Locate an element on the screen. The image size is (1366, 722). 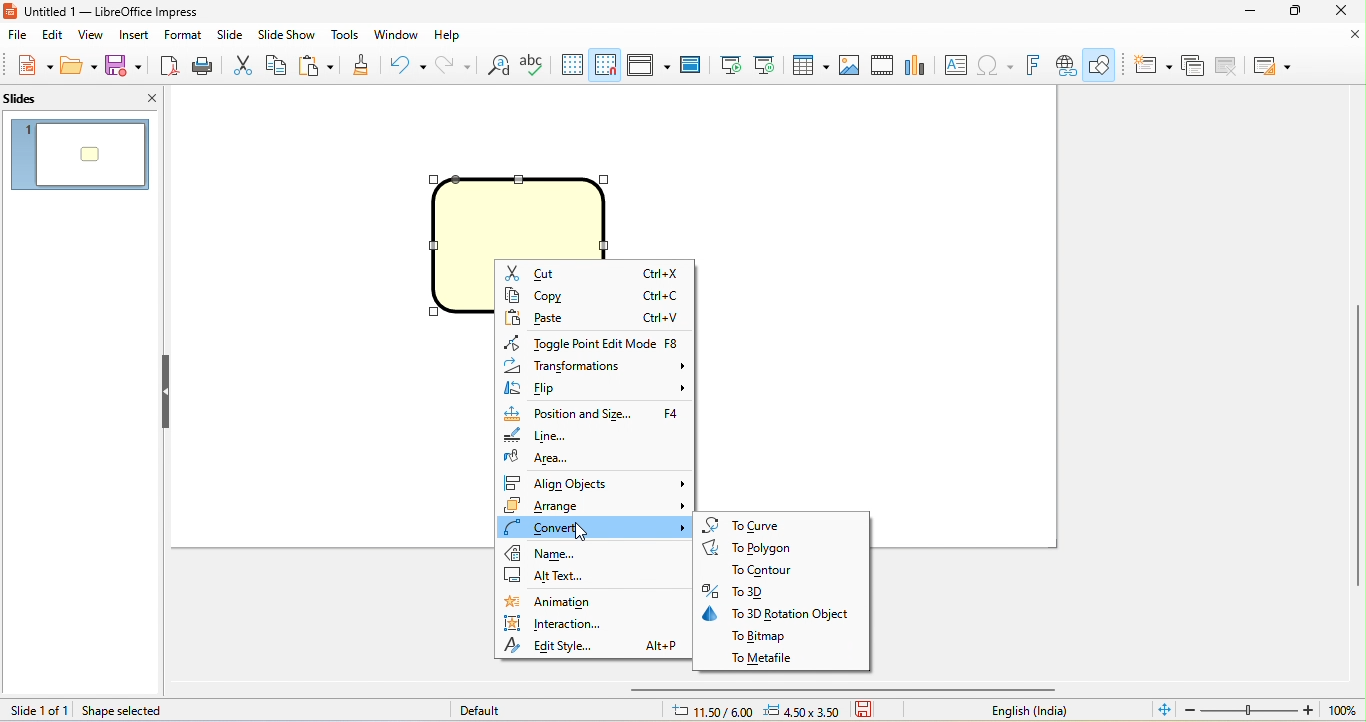
special character is located at coordinates (998, 65).